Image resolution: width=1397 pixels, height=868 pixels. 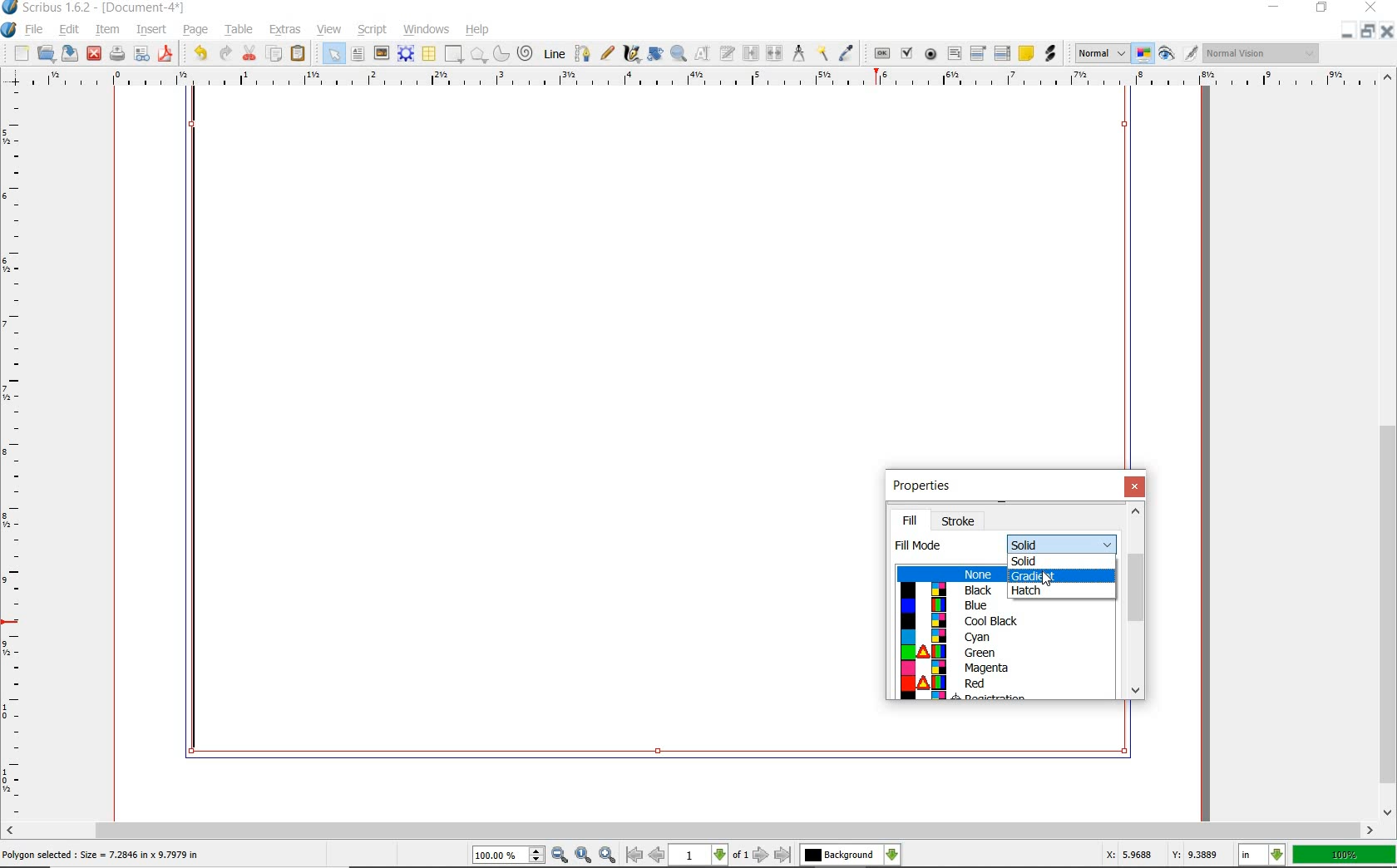 I want to click on zoom in or zoom out, so click(x=678, y=55).